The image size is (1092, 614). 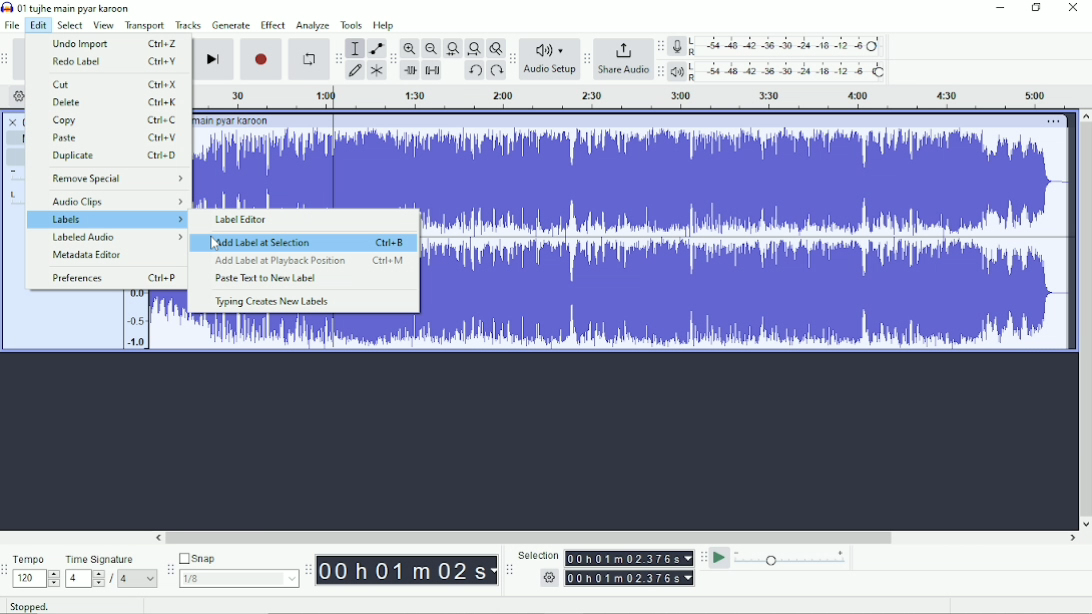 I want to click on Transport, so click(x=145, y=25).